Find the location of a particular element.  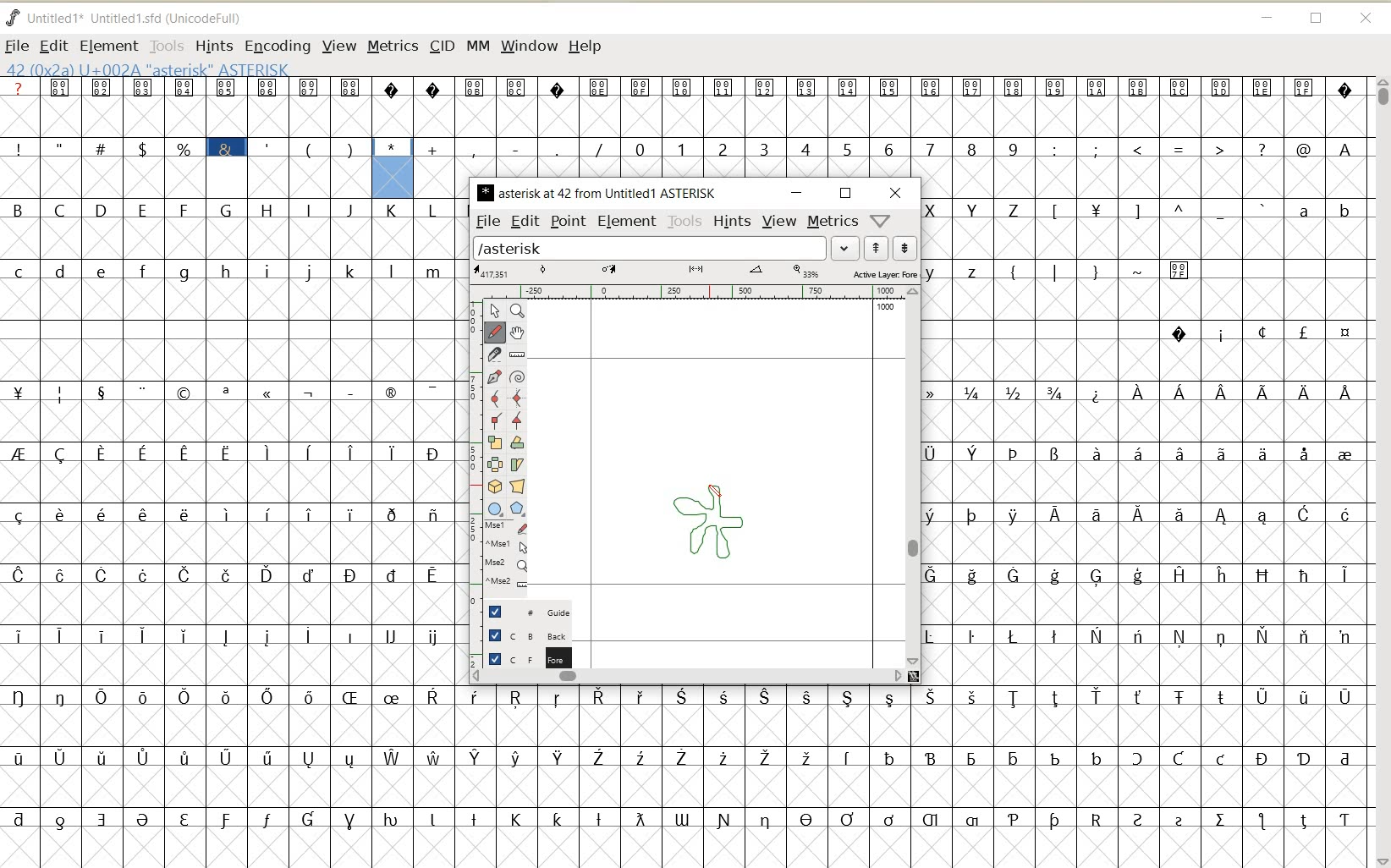

perform a perspective transformation on the selection is located at coordinates (517, 486).